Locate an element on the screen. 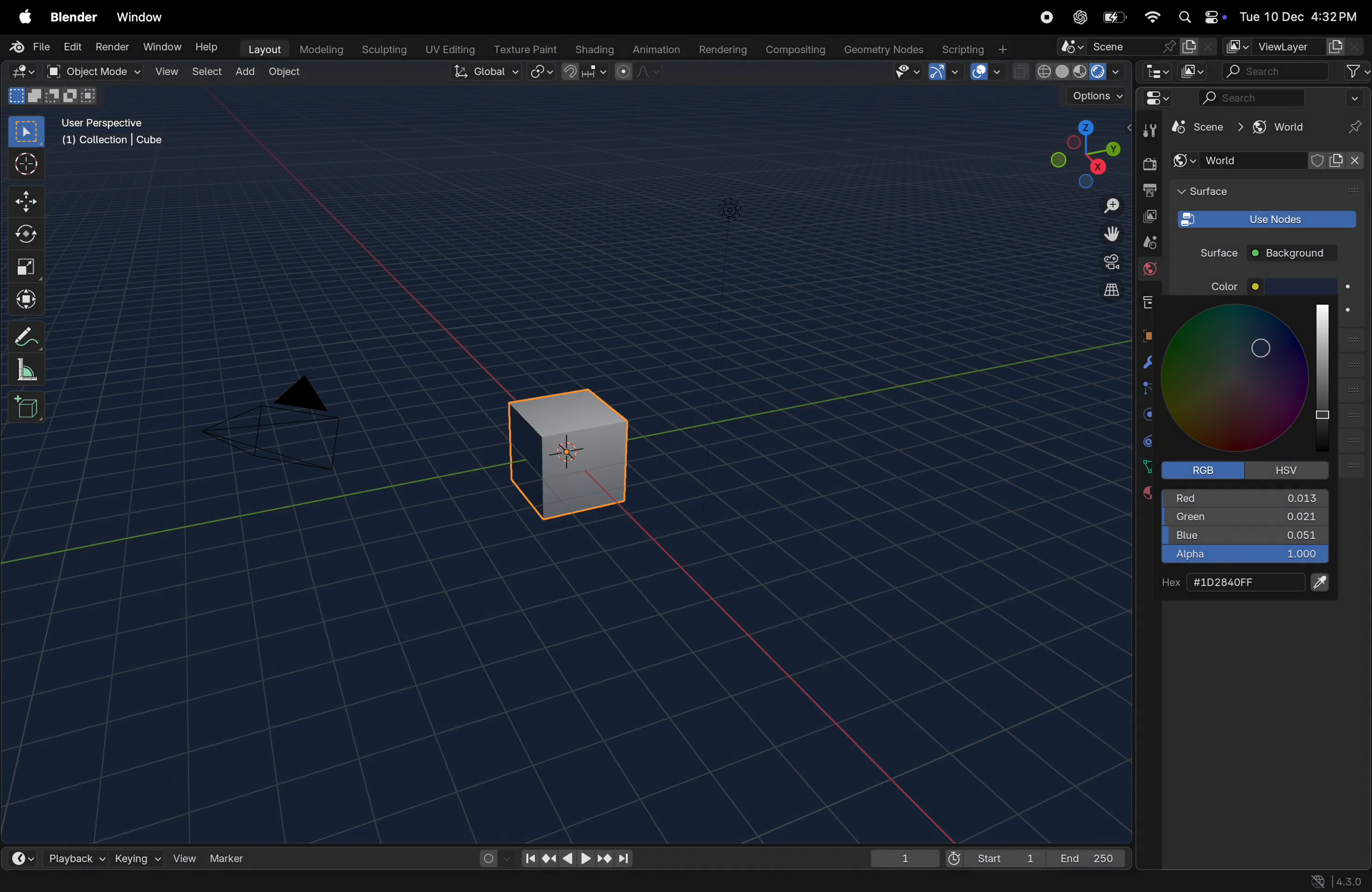 This screenshot has width=1372, height=892. transform is located at coordinates (29, 235).